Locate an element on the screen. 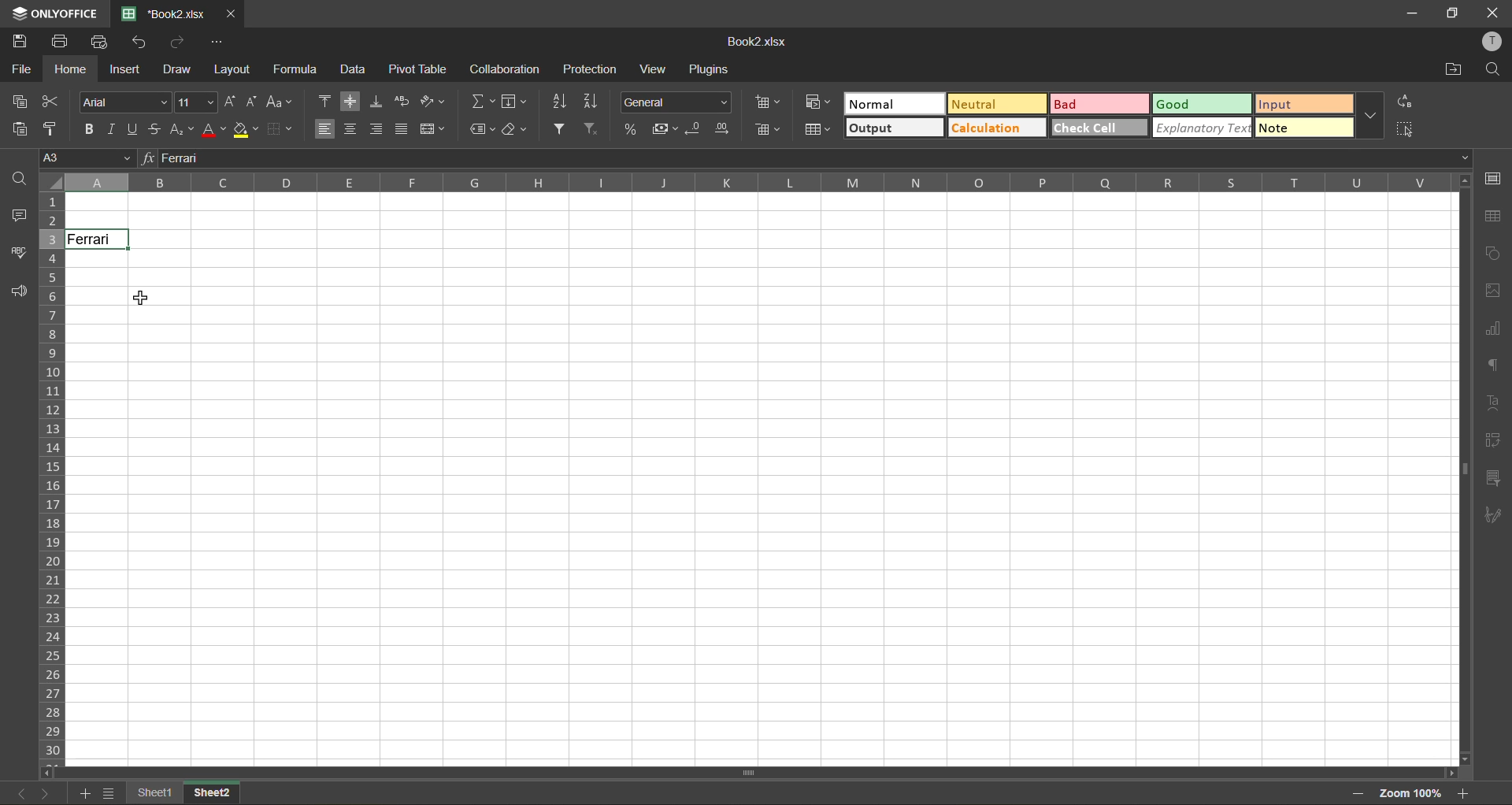 Image resolution: width=1512 pixels, height=805 pixels. signature is located at coordinates (1492, 518).